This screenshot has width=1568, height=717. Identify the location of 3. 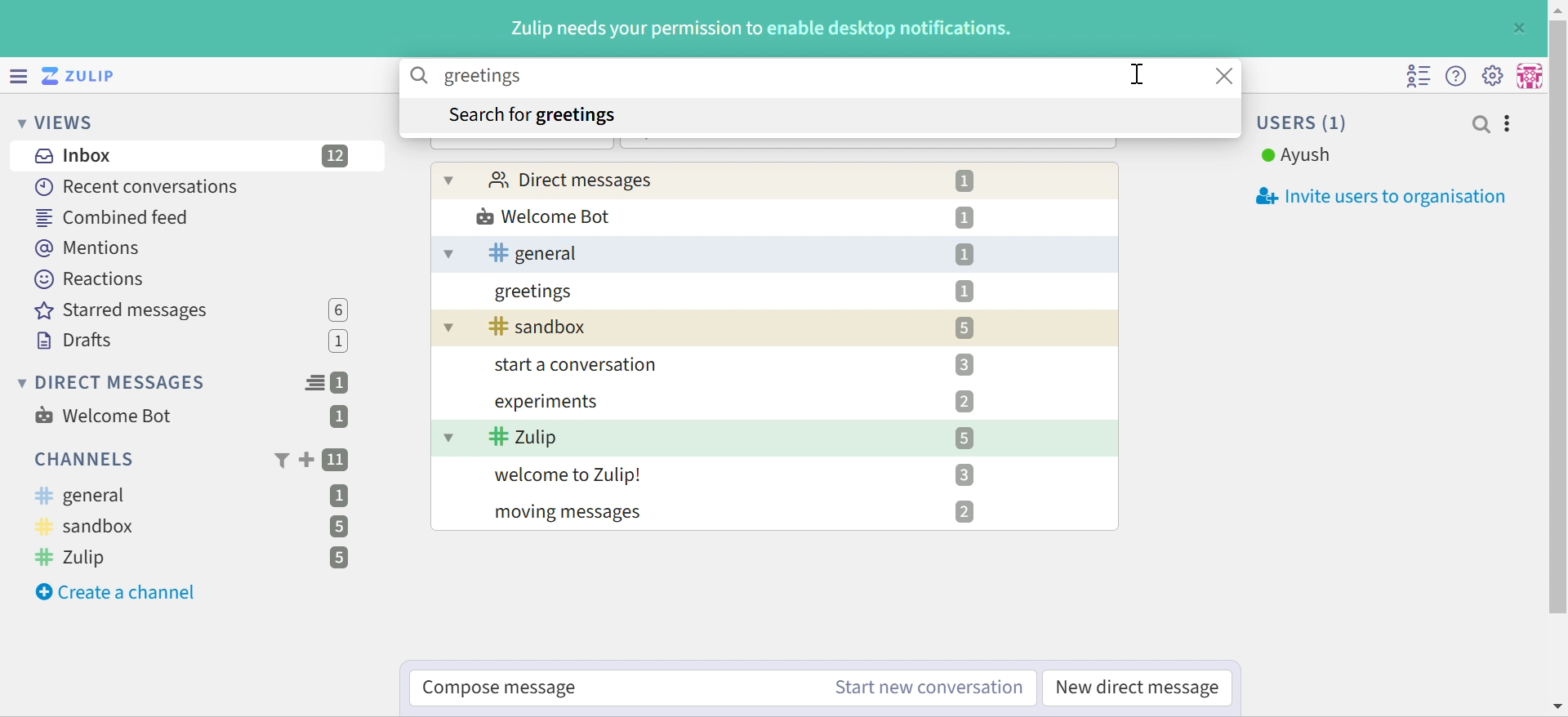
(963, 474).